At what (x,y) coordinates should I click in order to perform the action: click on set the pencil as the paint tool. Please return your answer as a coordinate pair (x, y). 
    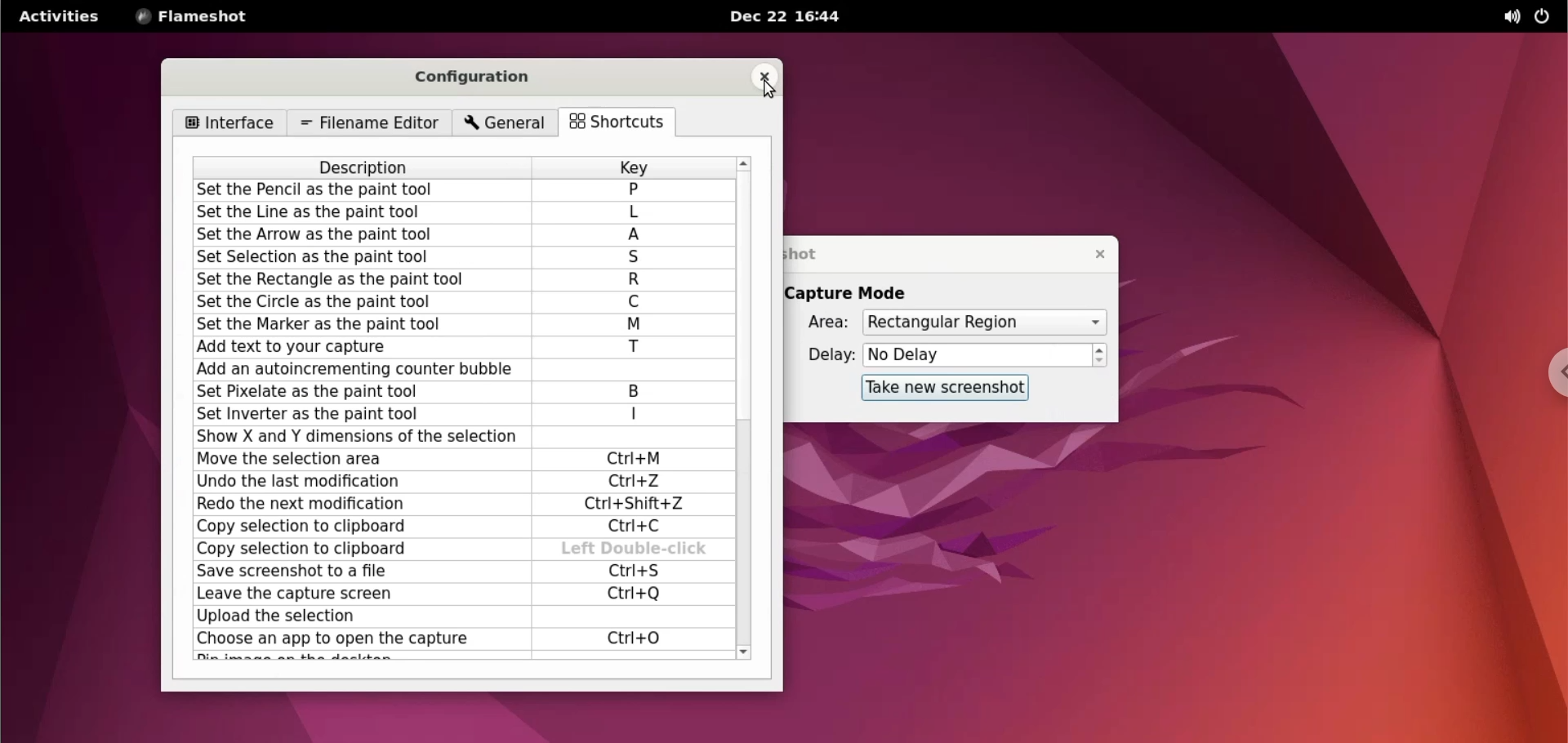
    Looking at the image, I should click on (365, 191).